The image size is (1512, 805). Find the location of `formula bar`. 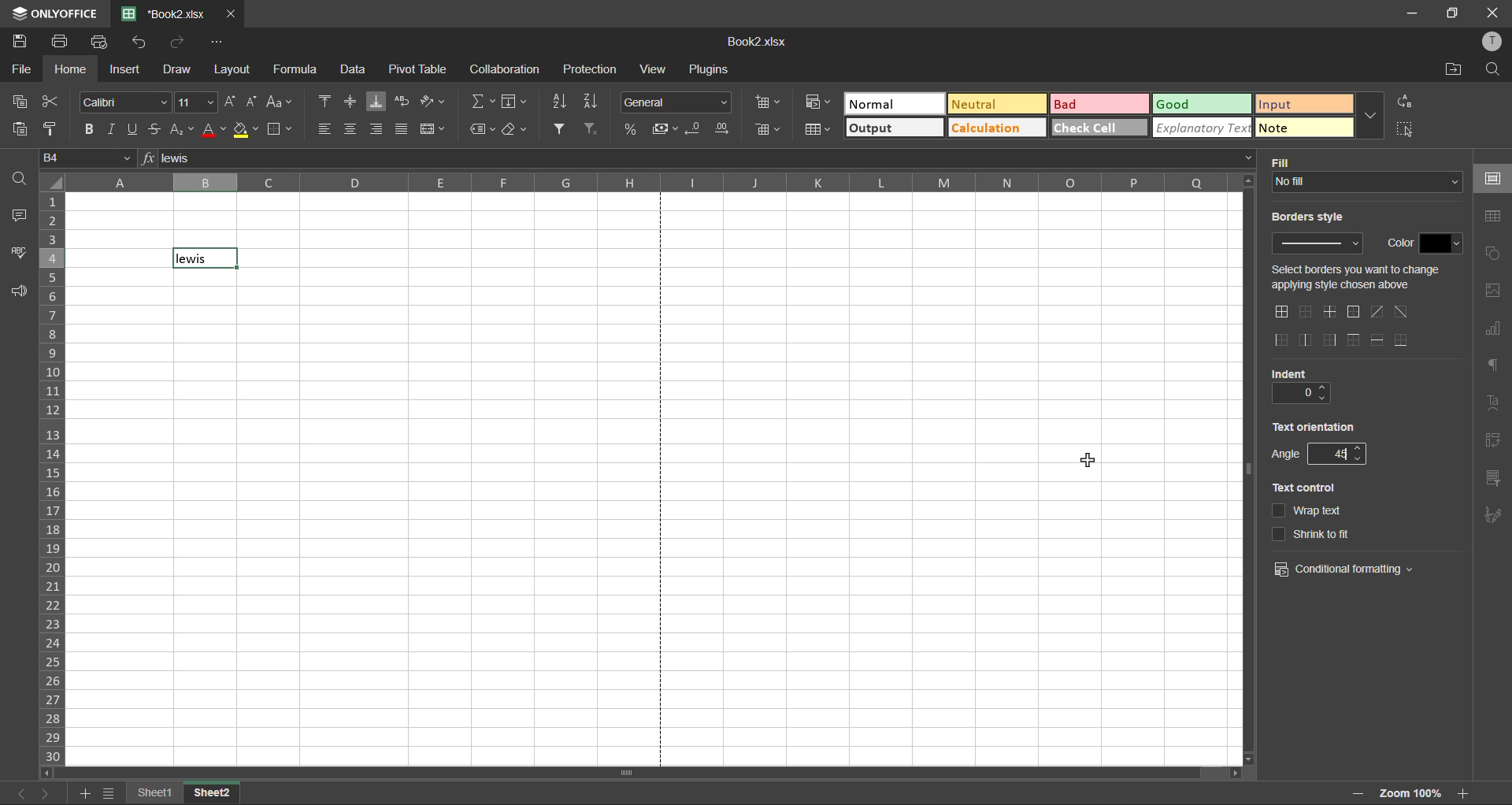

formula bar is located at coordinates (707, 161).